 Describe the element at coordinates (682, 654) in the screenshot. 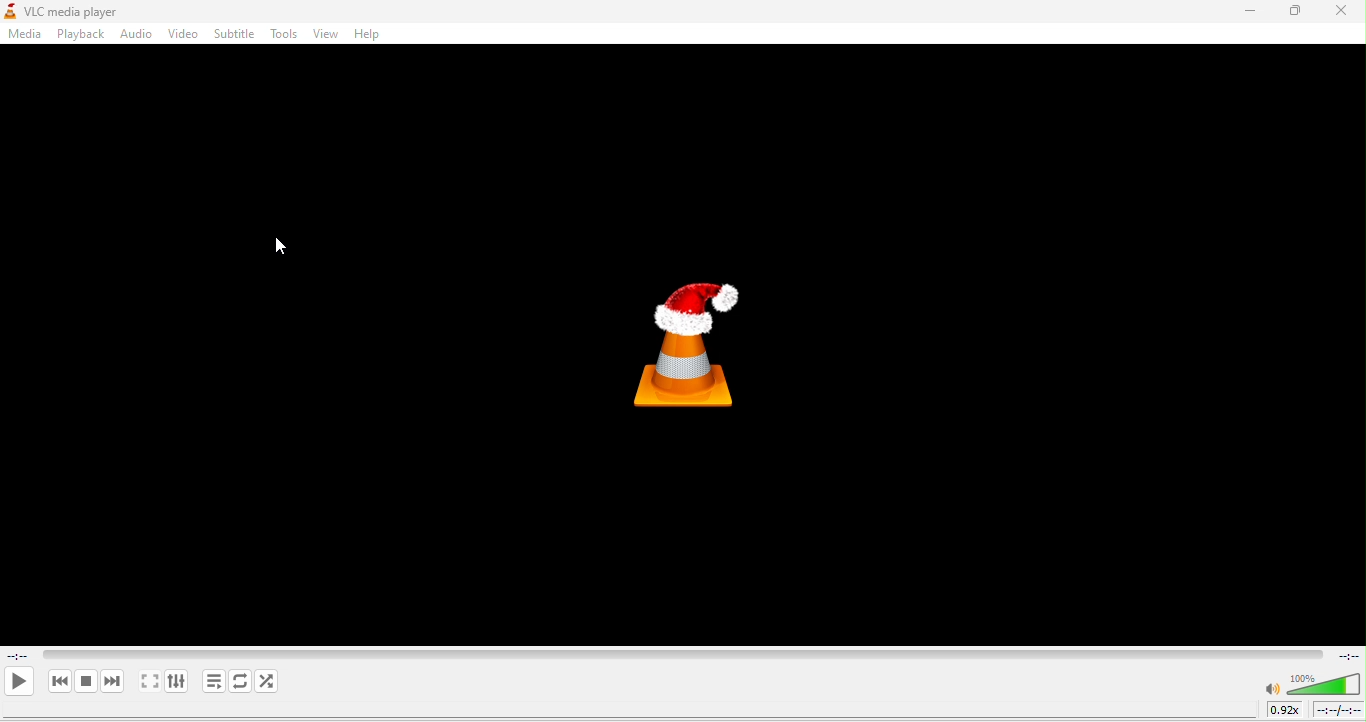

I see `video playback` at that location.